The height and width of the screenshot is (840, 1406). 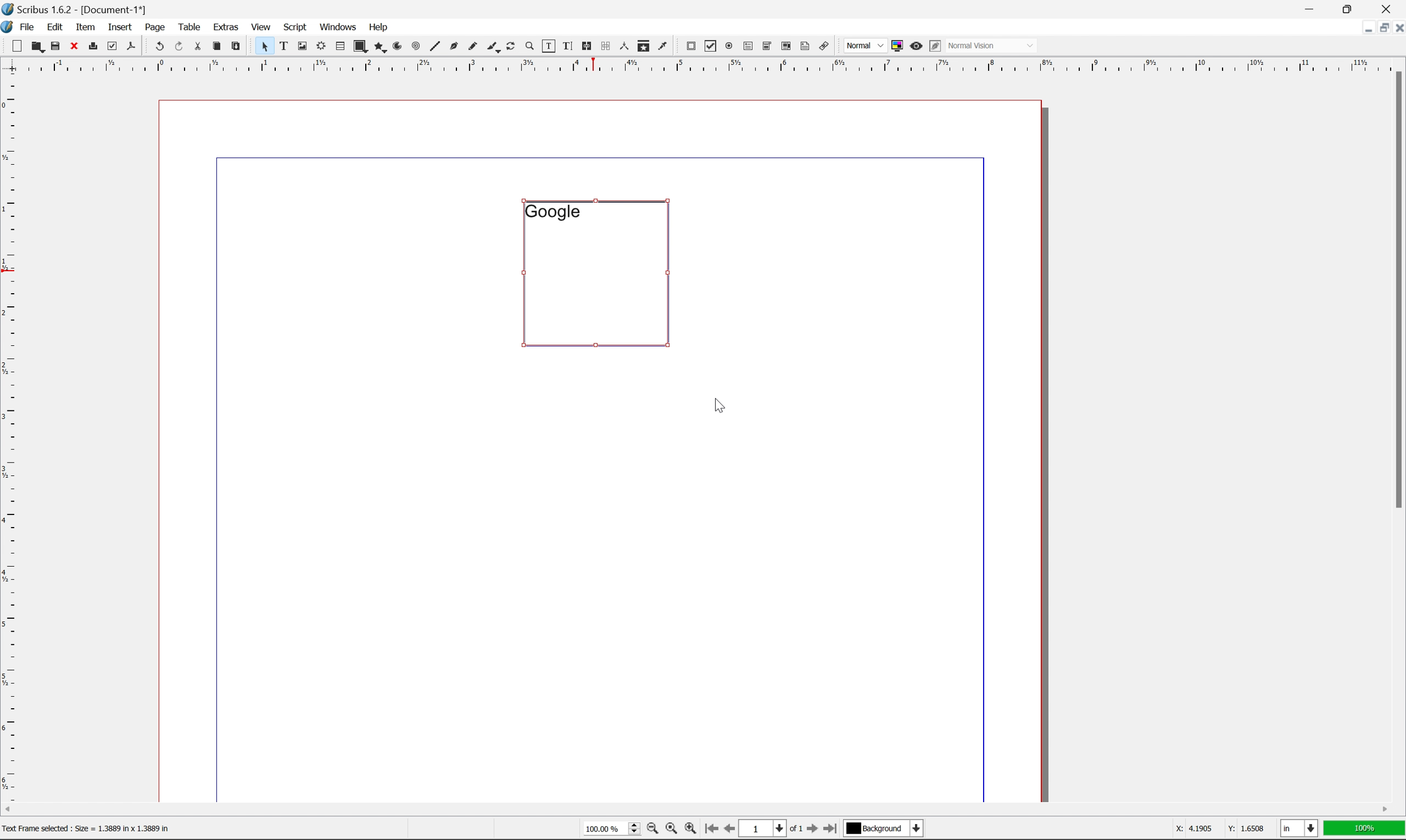 What do you see at coordinates (935, 46) in the screenshot?
I see `edit in preview mode` at bounding box center [935, 46].